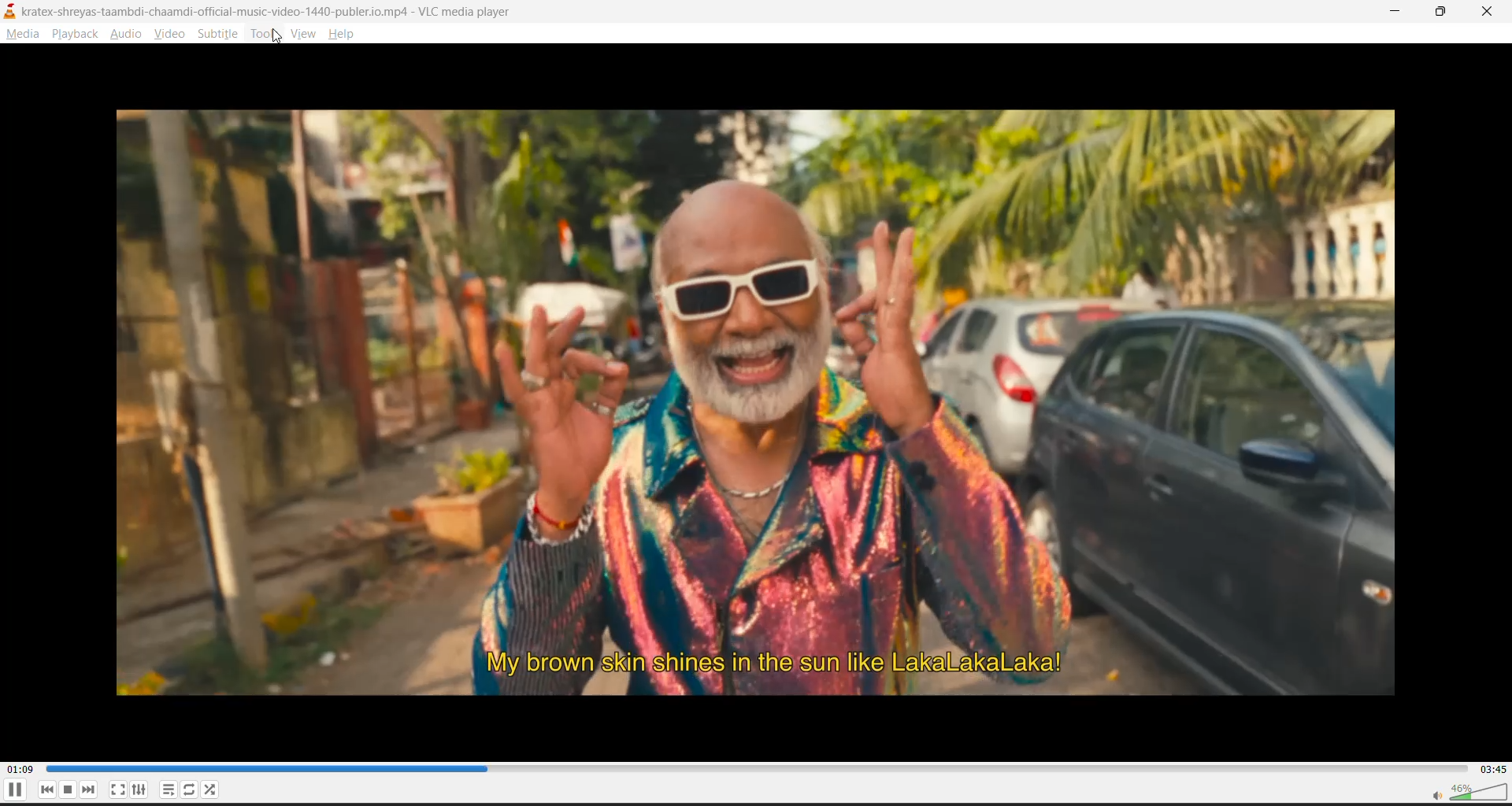 This screenshot has width=1512, height=806. What do you see at coordinates (1495, 767) in the screenshot?
I see `total track time` at bounding box center [1495, 767].